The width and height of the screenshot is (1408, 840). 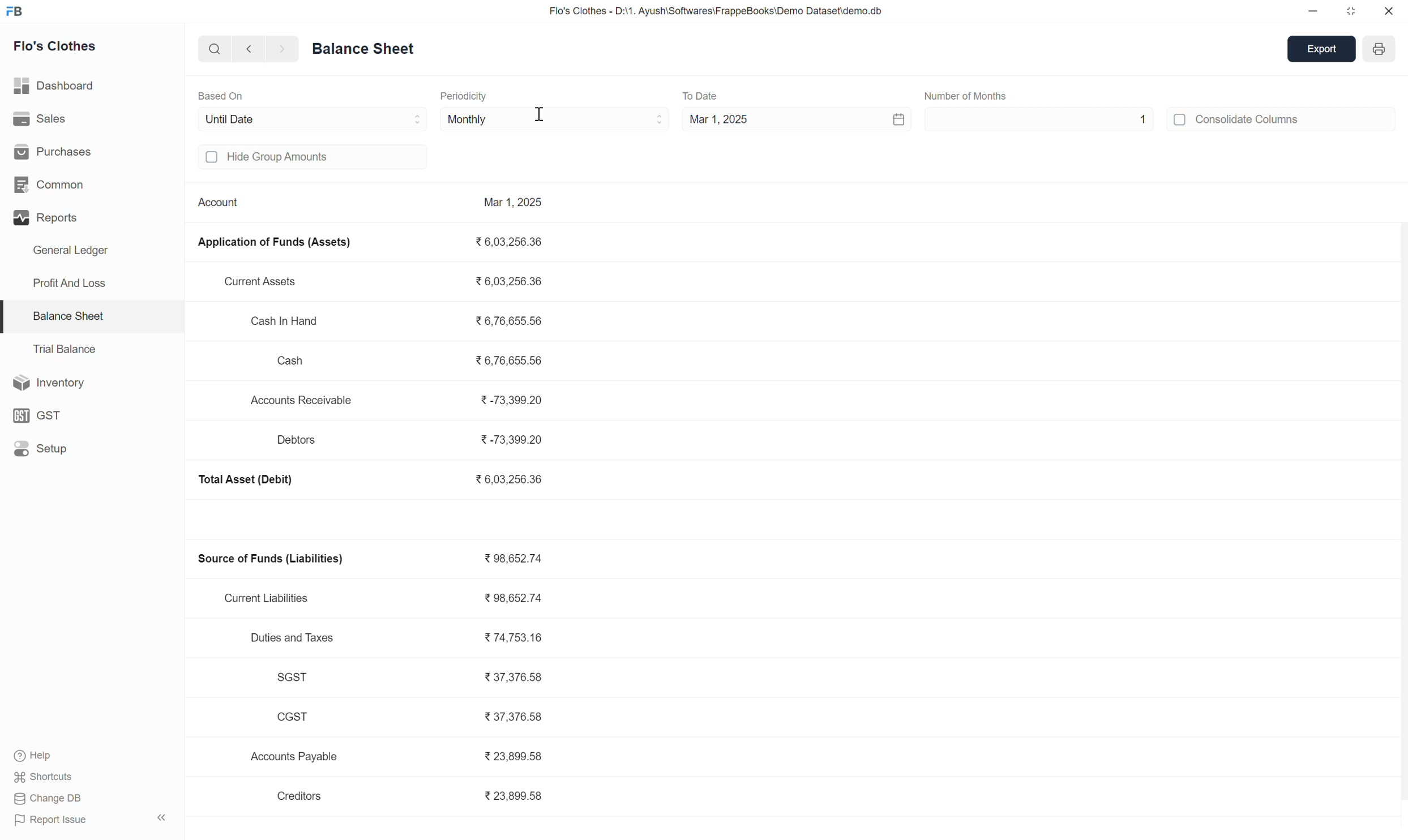 What do you see at coordinates (82, 218) in the screenshot?
I see `Reports` at bounding box center [82, 218].